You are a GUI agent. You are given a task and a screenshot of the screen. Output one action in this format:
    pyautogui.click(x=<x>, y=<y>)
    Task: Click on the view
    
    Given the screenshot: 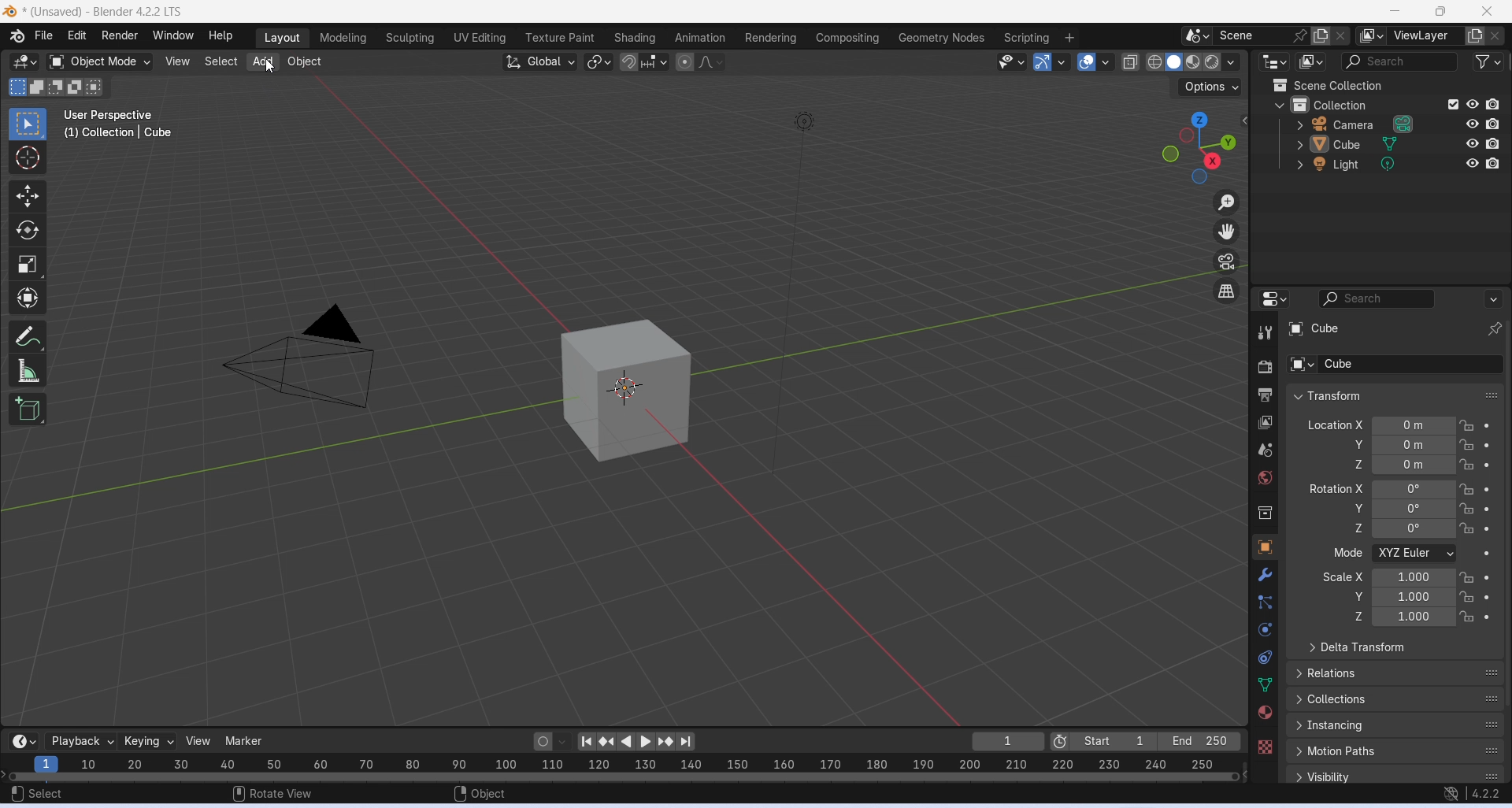 What is the action you would take?
    pyautogui.click(x=201, y=740)
    